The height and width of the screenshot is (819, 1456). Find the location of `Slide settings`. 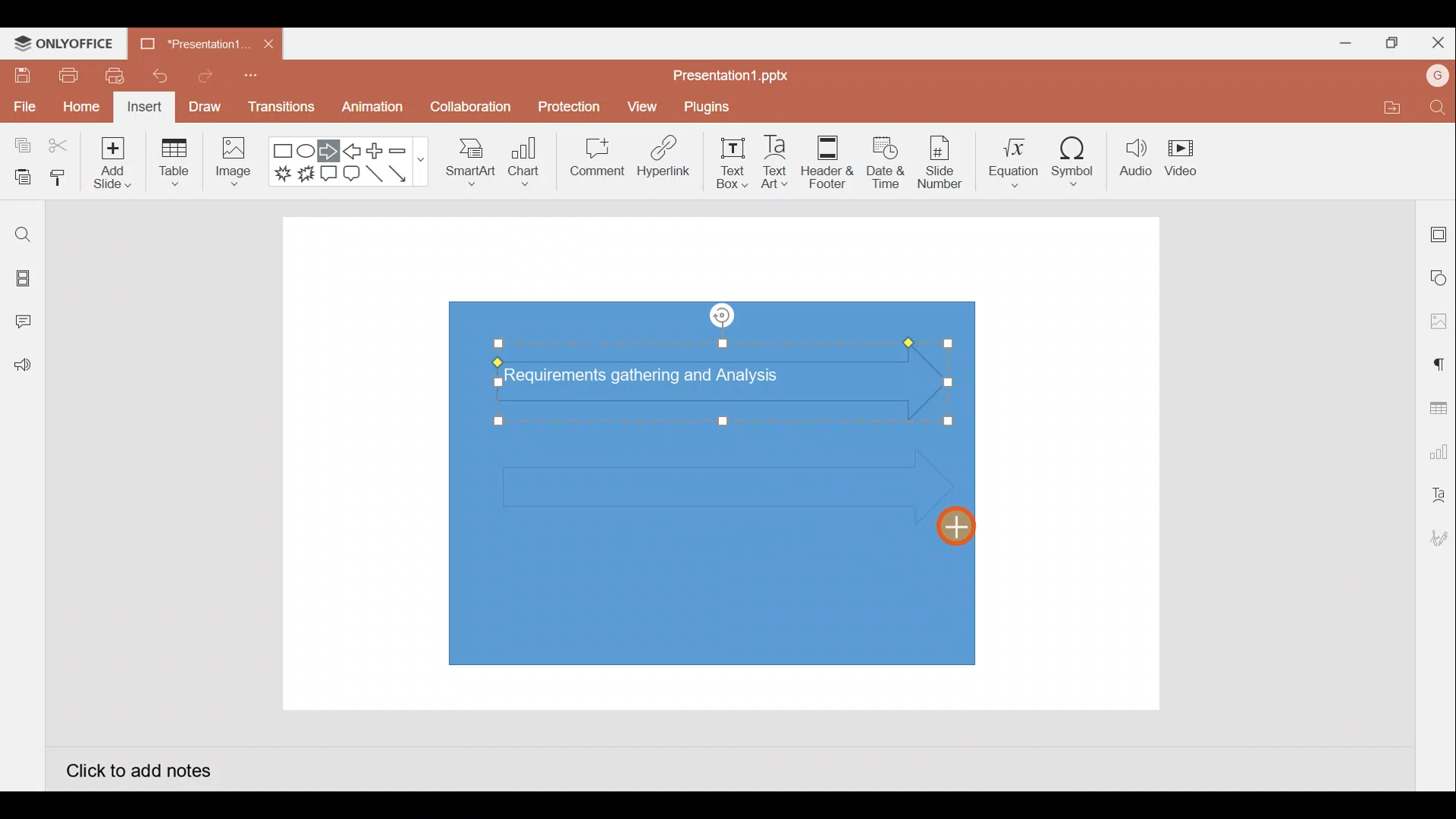

Slide settings is located at coordinates (1439, 231).